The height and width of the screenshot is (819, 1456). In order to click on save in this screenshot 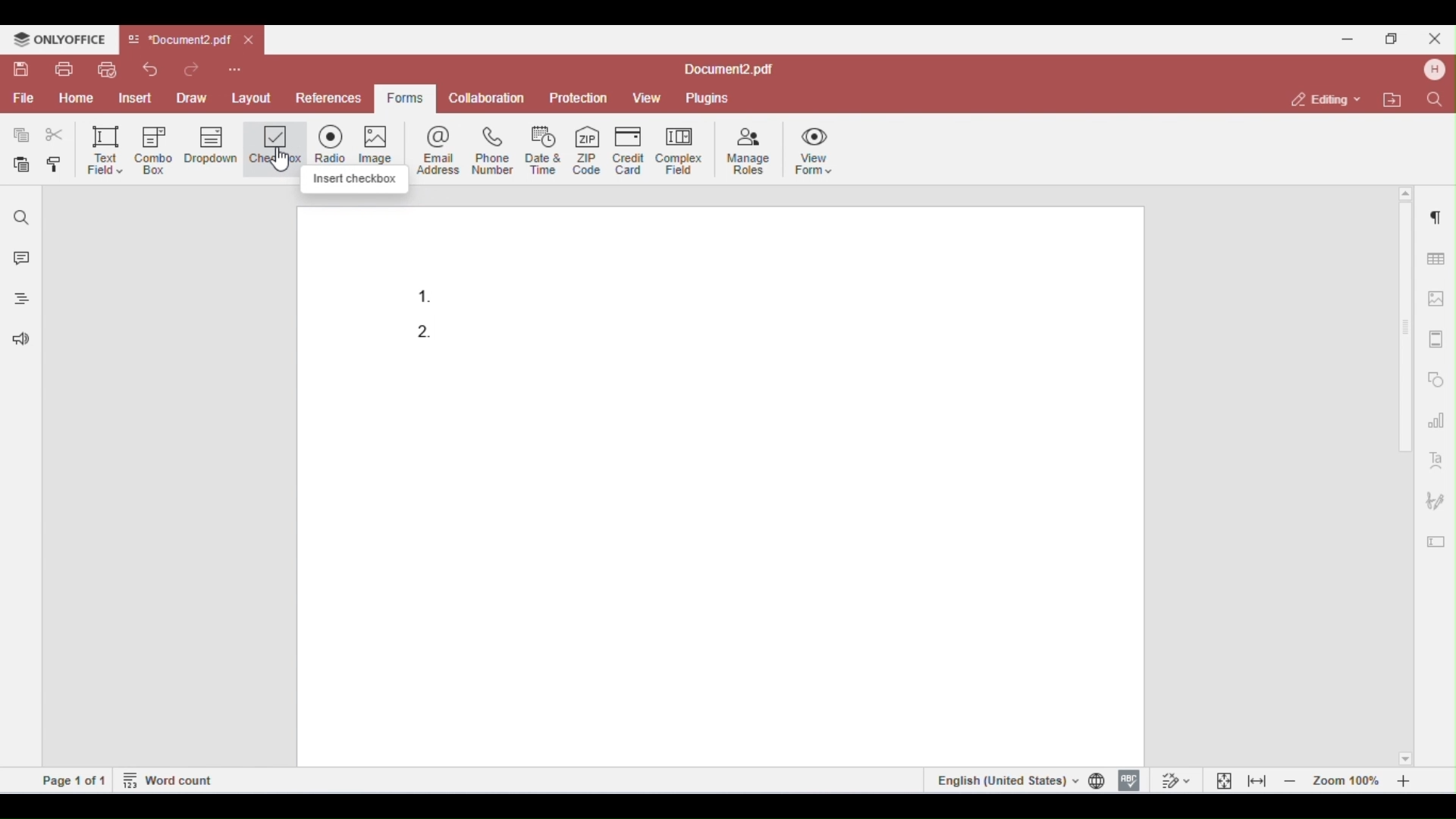, I will do `click(23, 69)`.